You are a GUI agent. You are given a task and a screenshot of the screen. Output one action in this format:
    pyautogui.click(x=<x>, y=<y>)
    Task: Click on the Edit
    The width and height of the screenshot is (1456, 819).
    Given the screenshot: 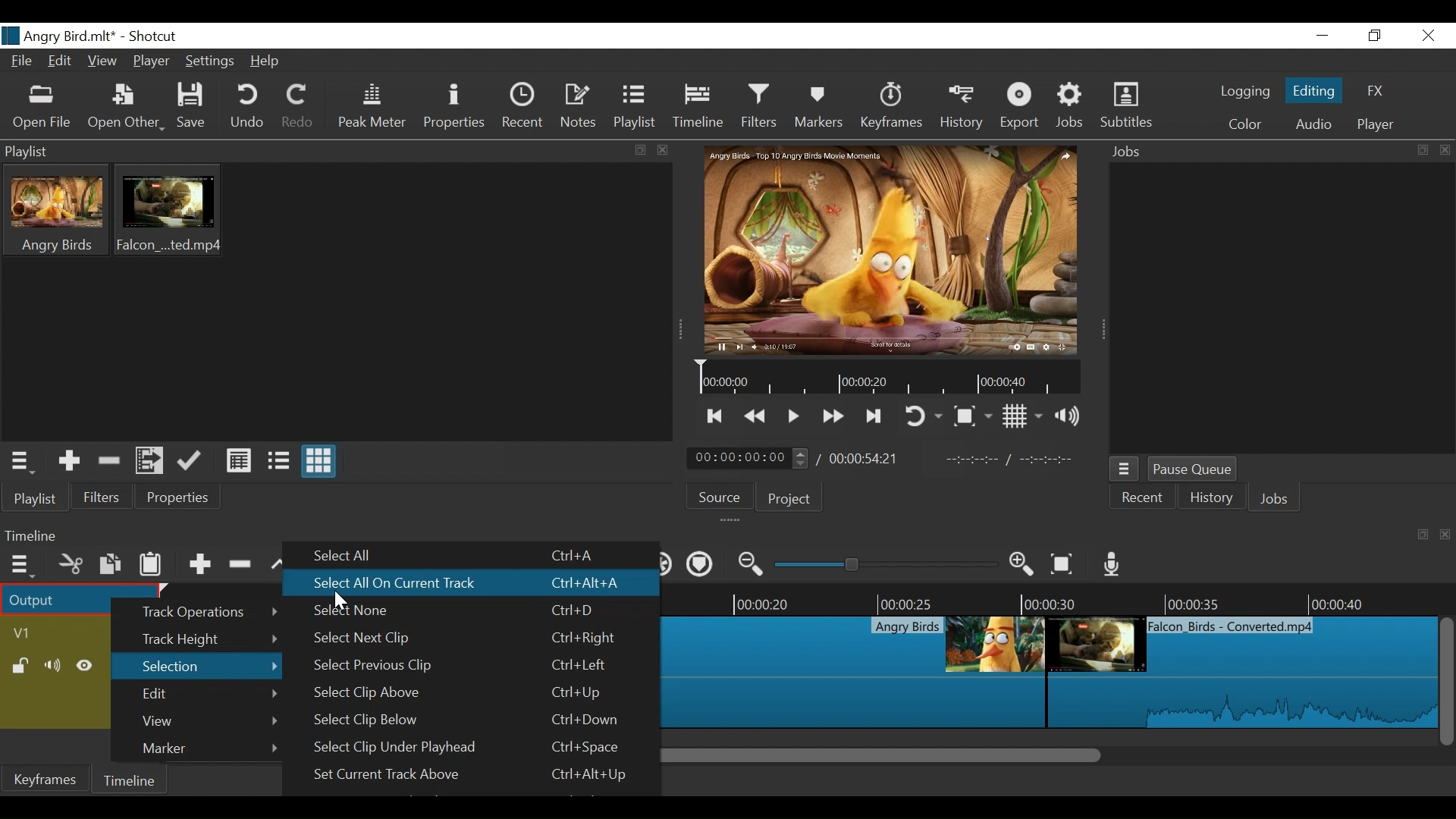 What is the action you would take?
    pyautogui.click(x=210, y=695)
    